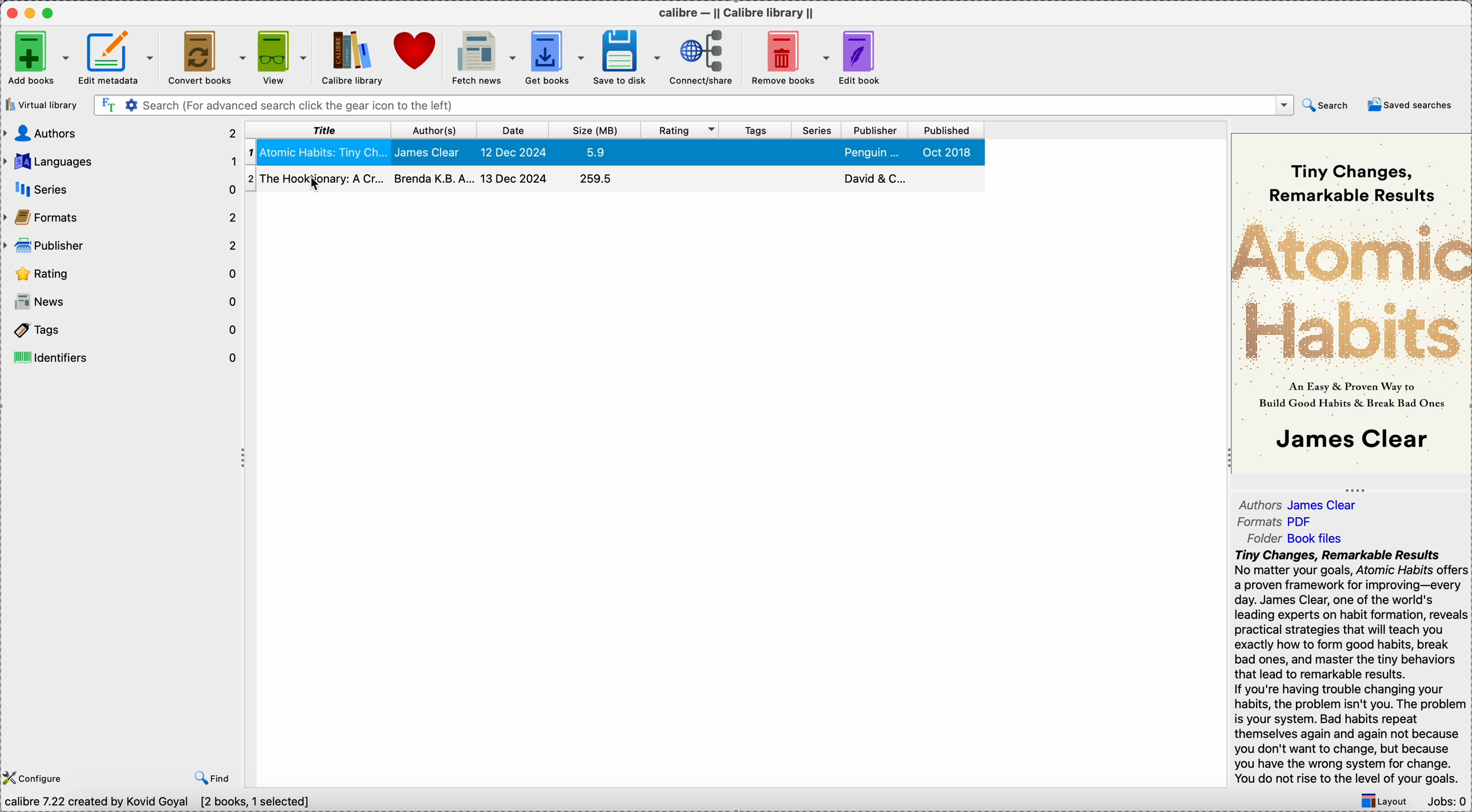  Describe the element at coordinates (119, 189) in the screenshot. I see `series` at that location.